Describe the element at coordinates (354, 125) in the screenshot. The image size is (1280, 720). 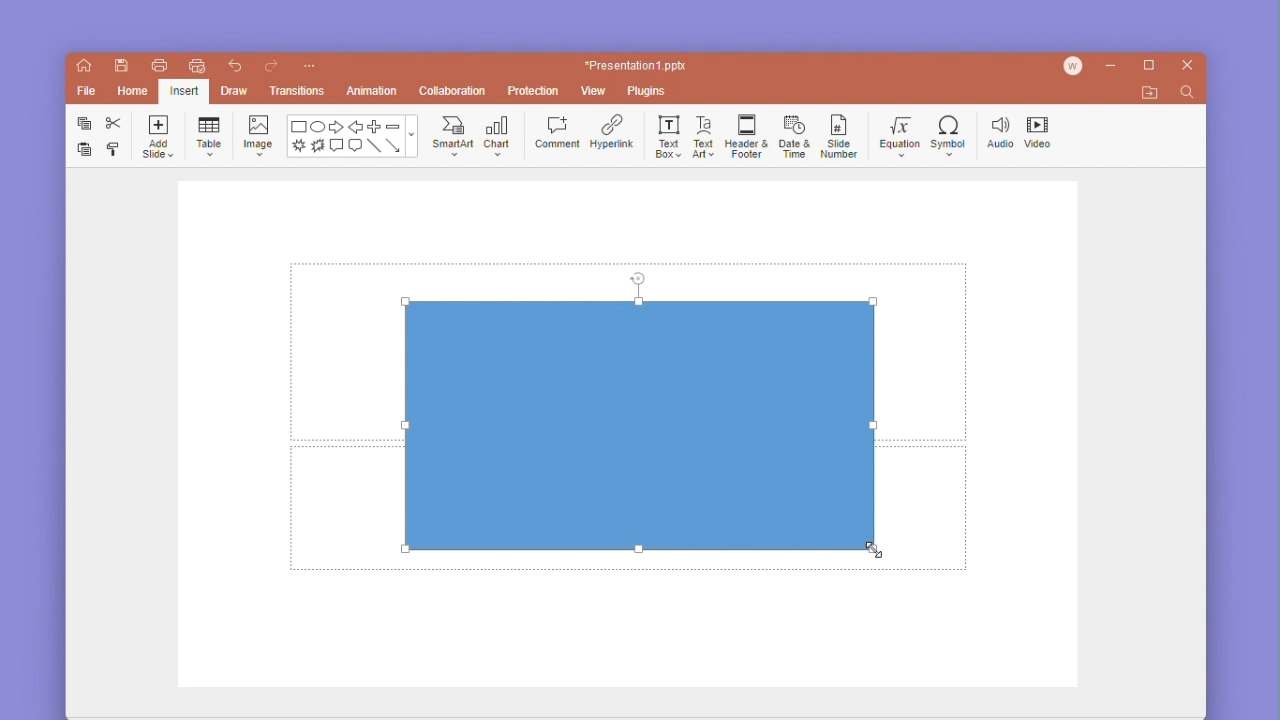
I see `back arrow` at that location.